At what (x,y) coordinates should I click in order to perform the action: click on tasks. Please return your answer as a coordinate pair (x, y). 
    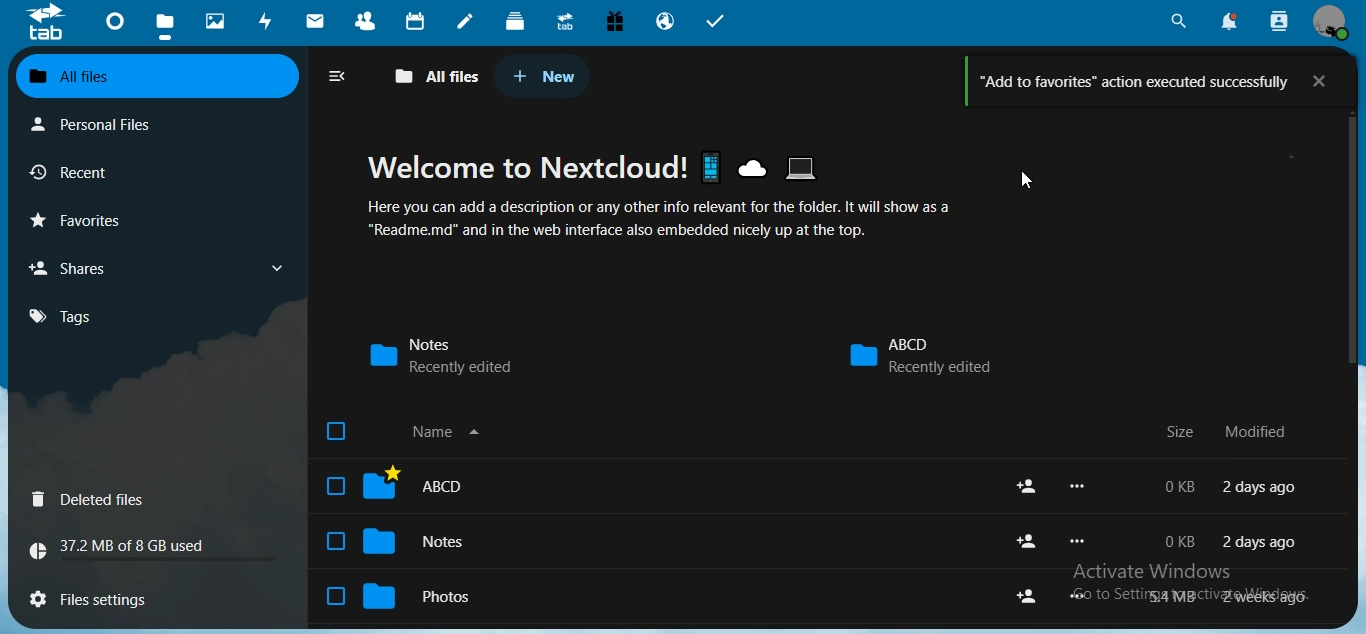
    Looking at the image, I should click on (715, 22).